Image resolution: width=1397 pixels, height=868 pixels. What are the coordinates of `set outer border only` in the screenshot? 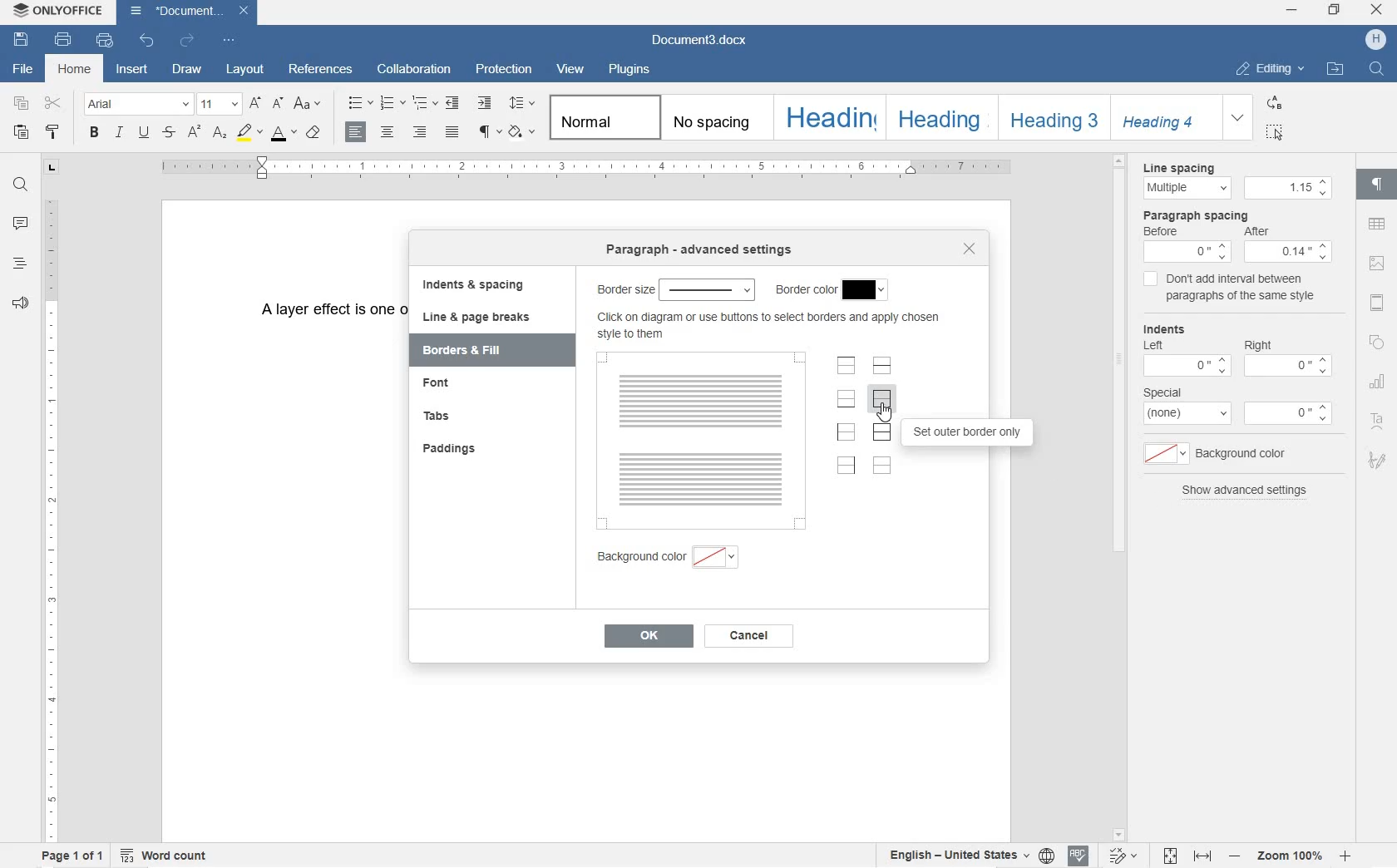 It's located at (883, 400).